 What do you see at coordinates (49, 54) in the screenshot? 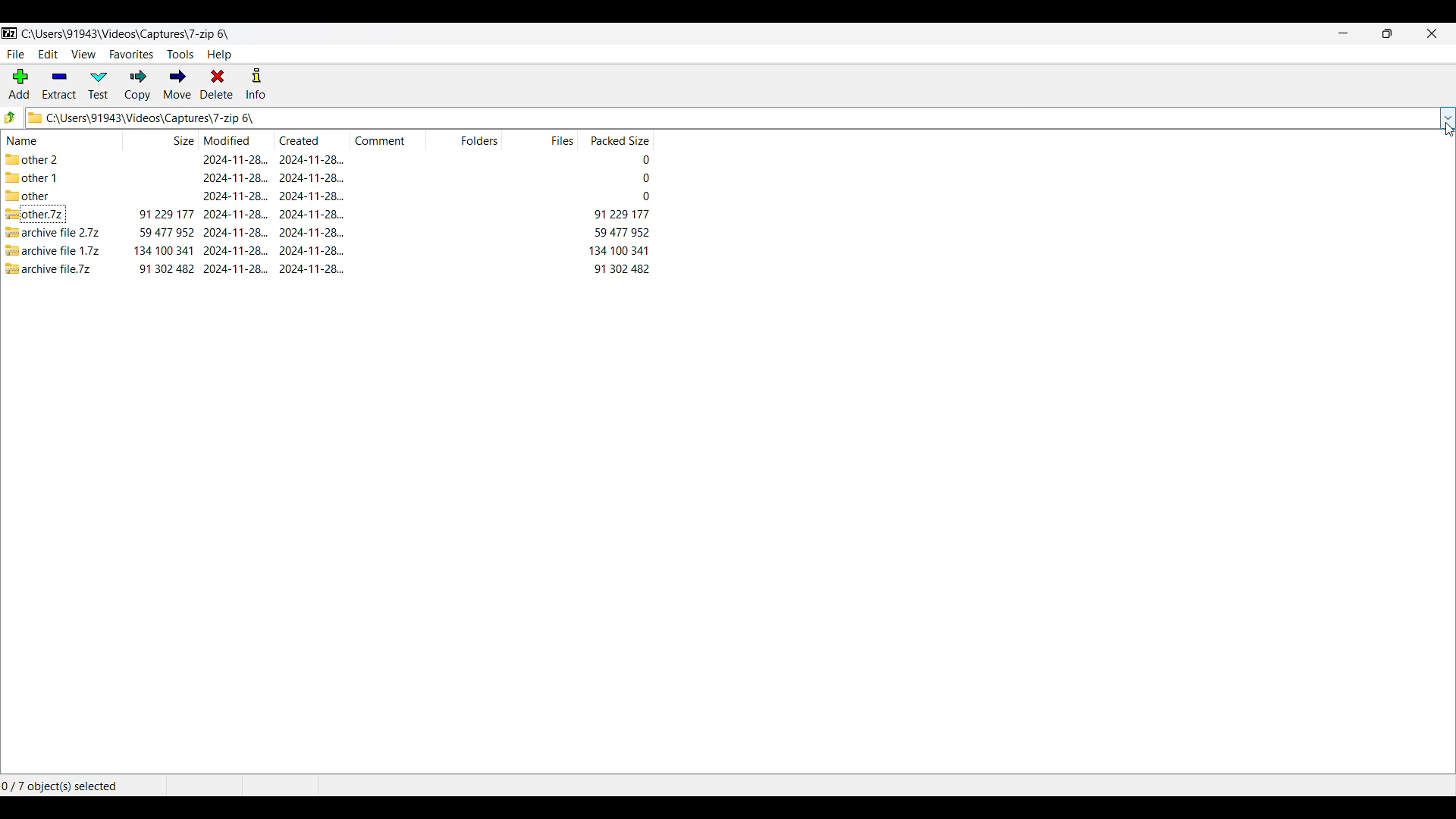
I see `Edit menu` at bounding box center [49, 54].